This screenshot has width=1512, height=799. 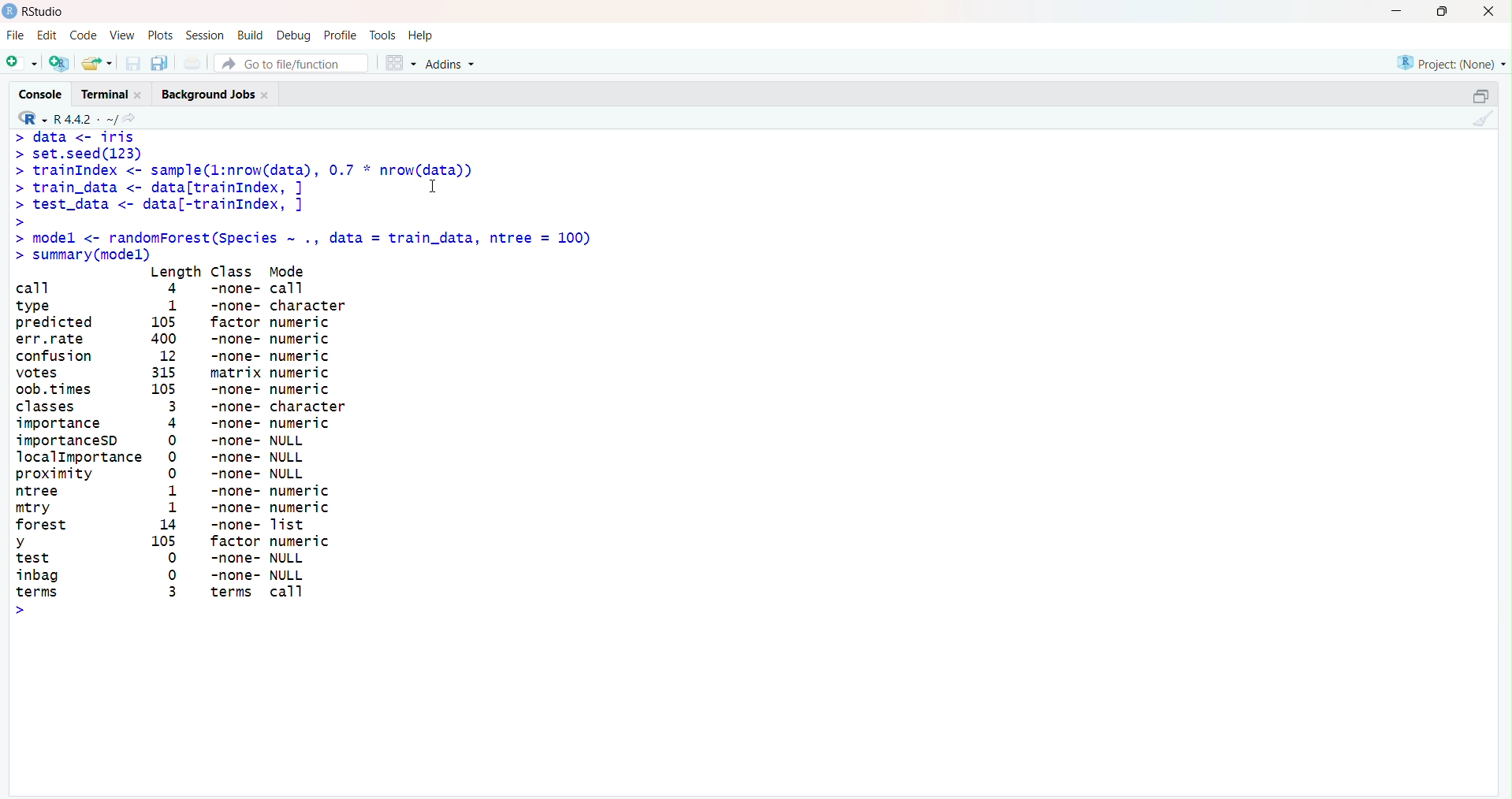 I want to click on Print the current file, so click(x=192, y=64).